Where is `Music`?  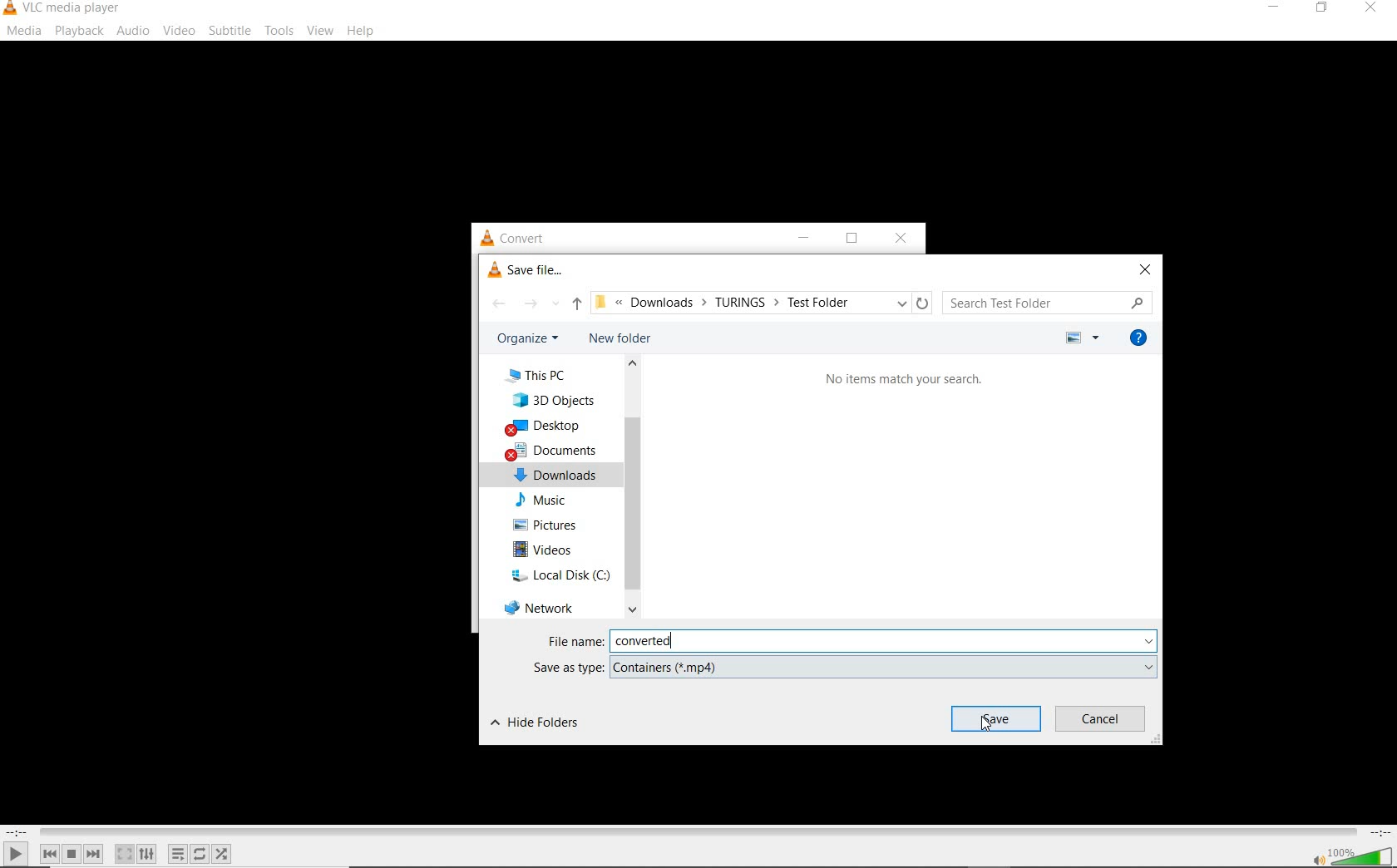
Music is located at coordinates (547, 501).